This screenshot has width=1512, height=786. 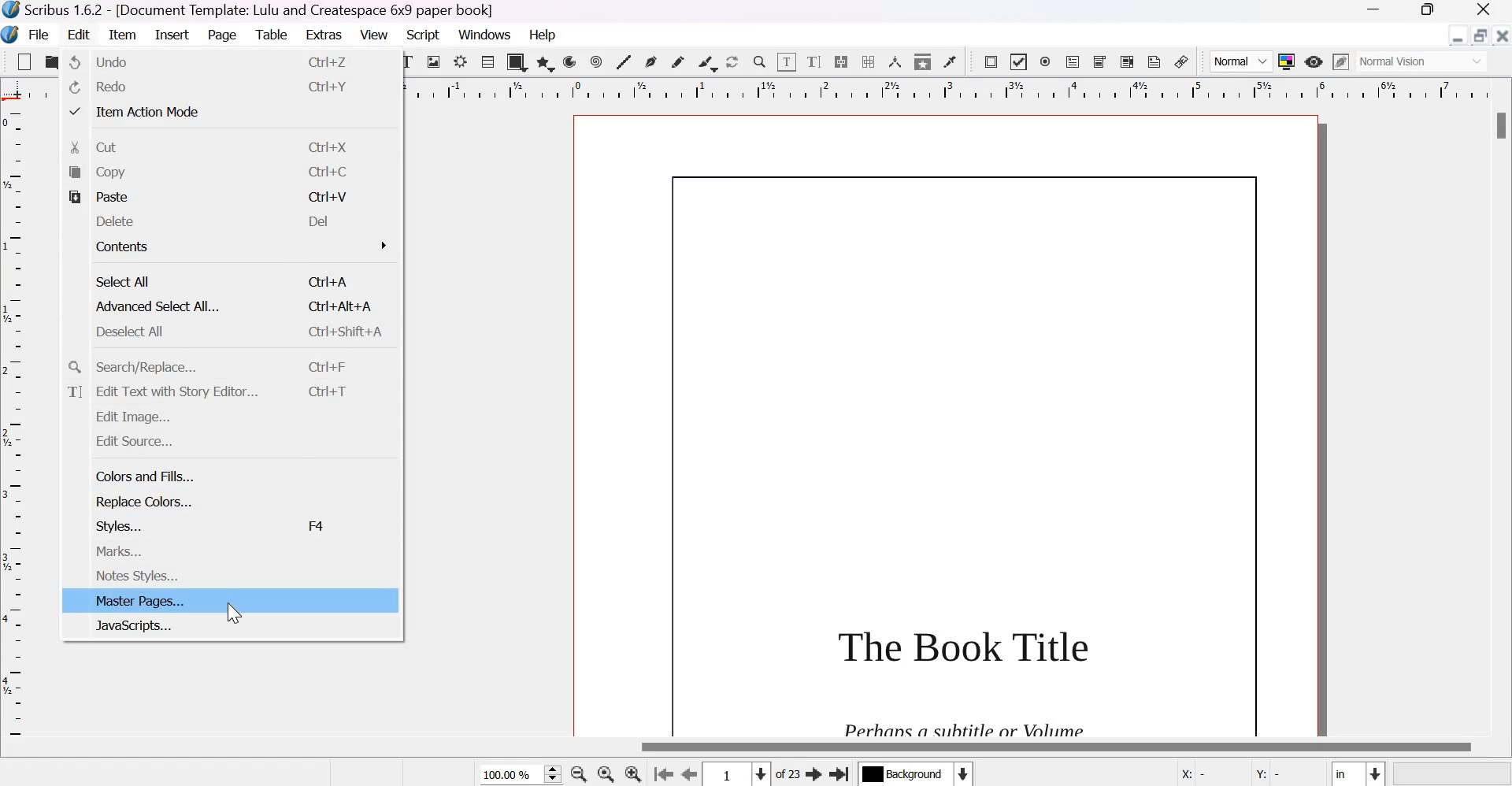 What do you see at coordinates (665, 773) in the screenshot?
I see `go to the first page` at bounding box center [665, 773].